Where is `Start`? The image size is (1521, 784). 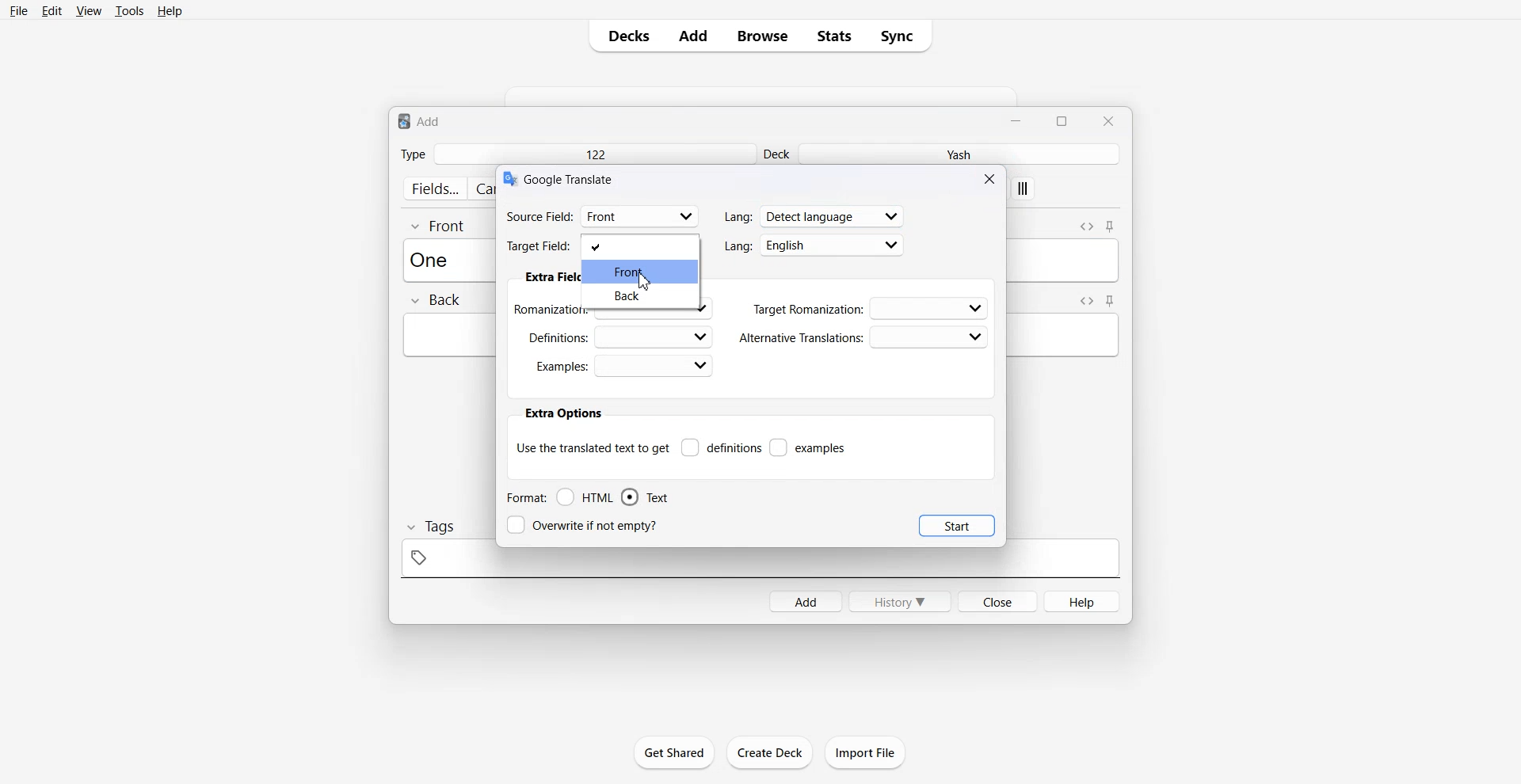
Start is located at coordinates (957, 525).